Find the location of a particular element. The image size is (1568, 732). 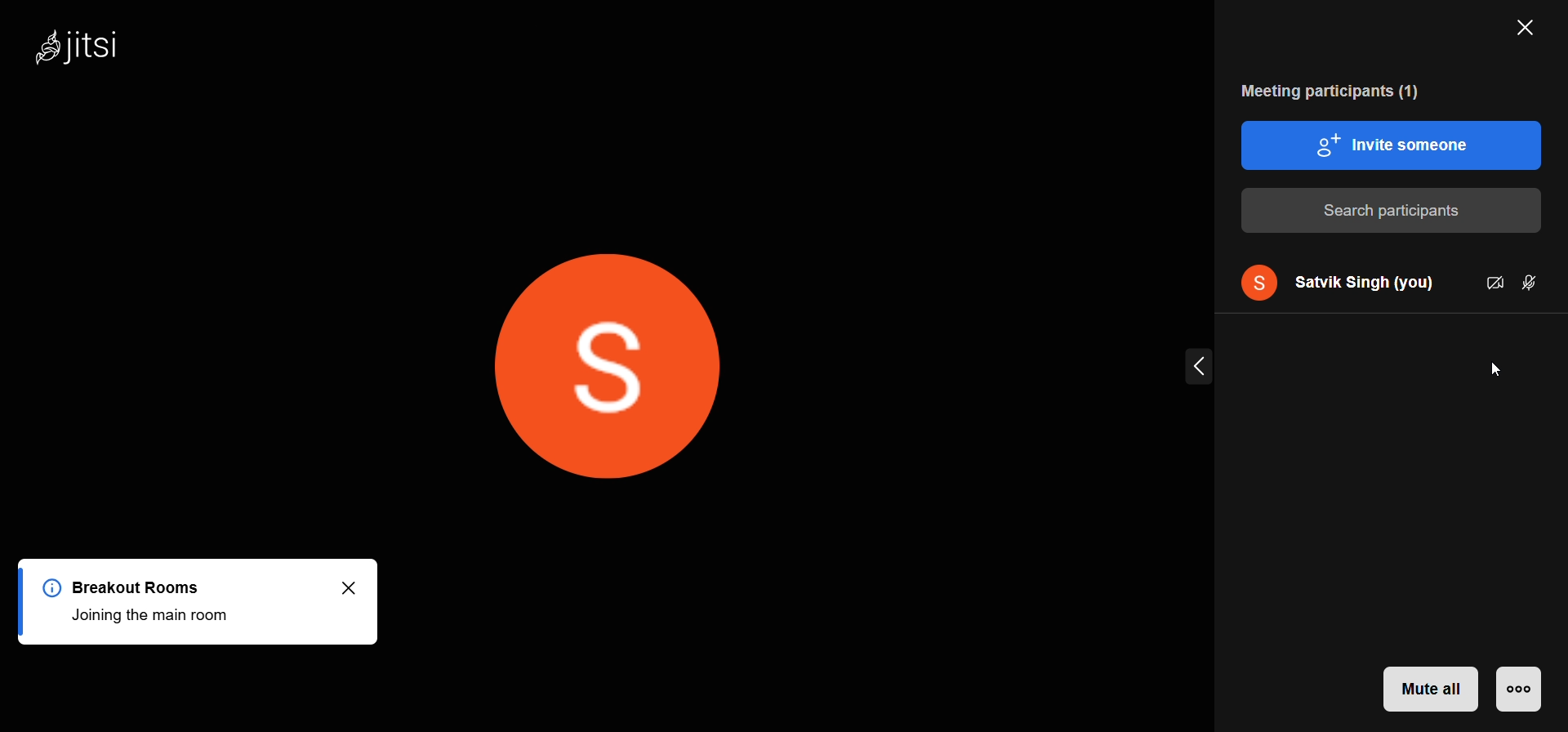

display picture is located at coordinates (604, 368).